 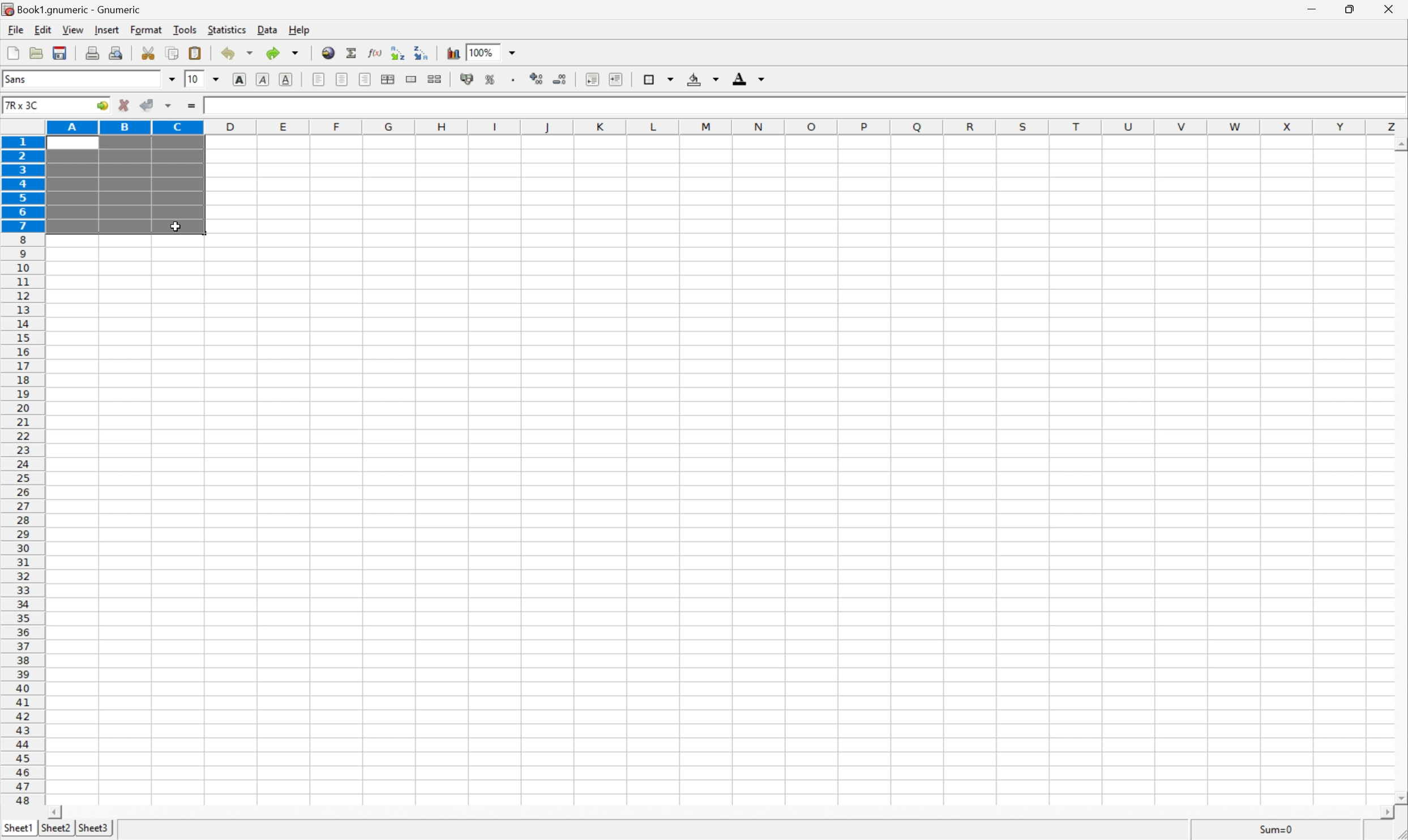 What do you see at coordinates (503, 51) in the screenshot?
I see `Zoom 100%` at bounding box center [503, 51].